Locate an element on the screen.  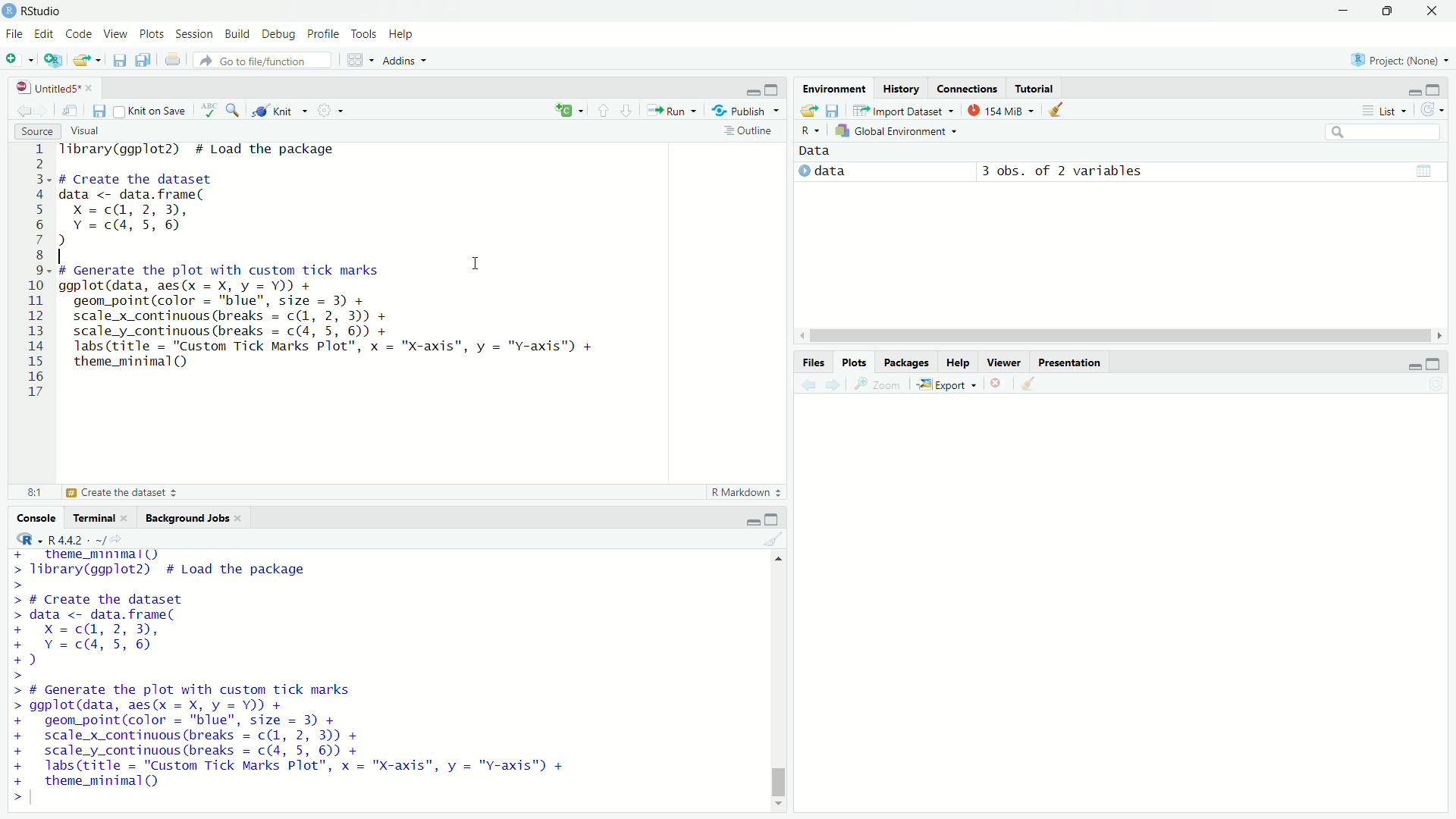
close is located at coordinates (130, 518).